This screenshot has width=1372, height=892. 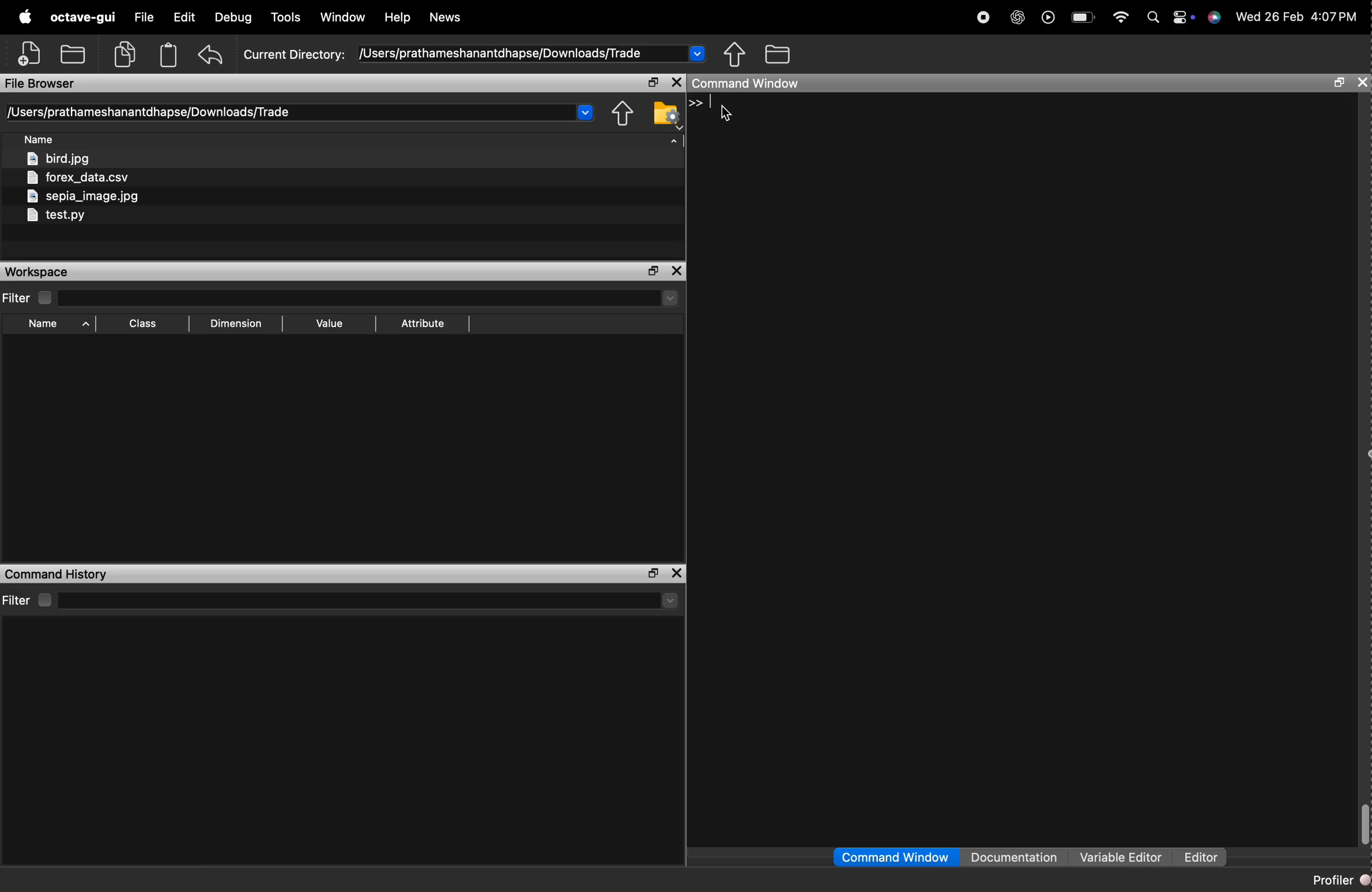 I want to click on Value, so click(x=330, y=322).